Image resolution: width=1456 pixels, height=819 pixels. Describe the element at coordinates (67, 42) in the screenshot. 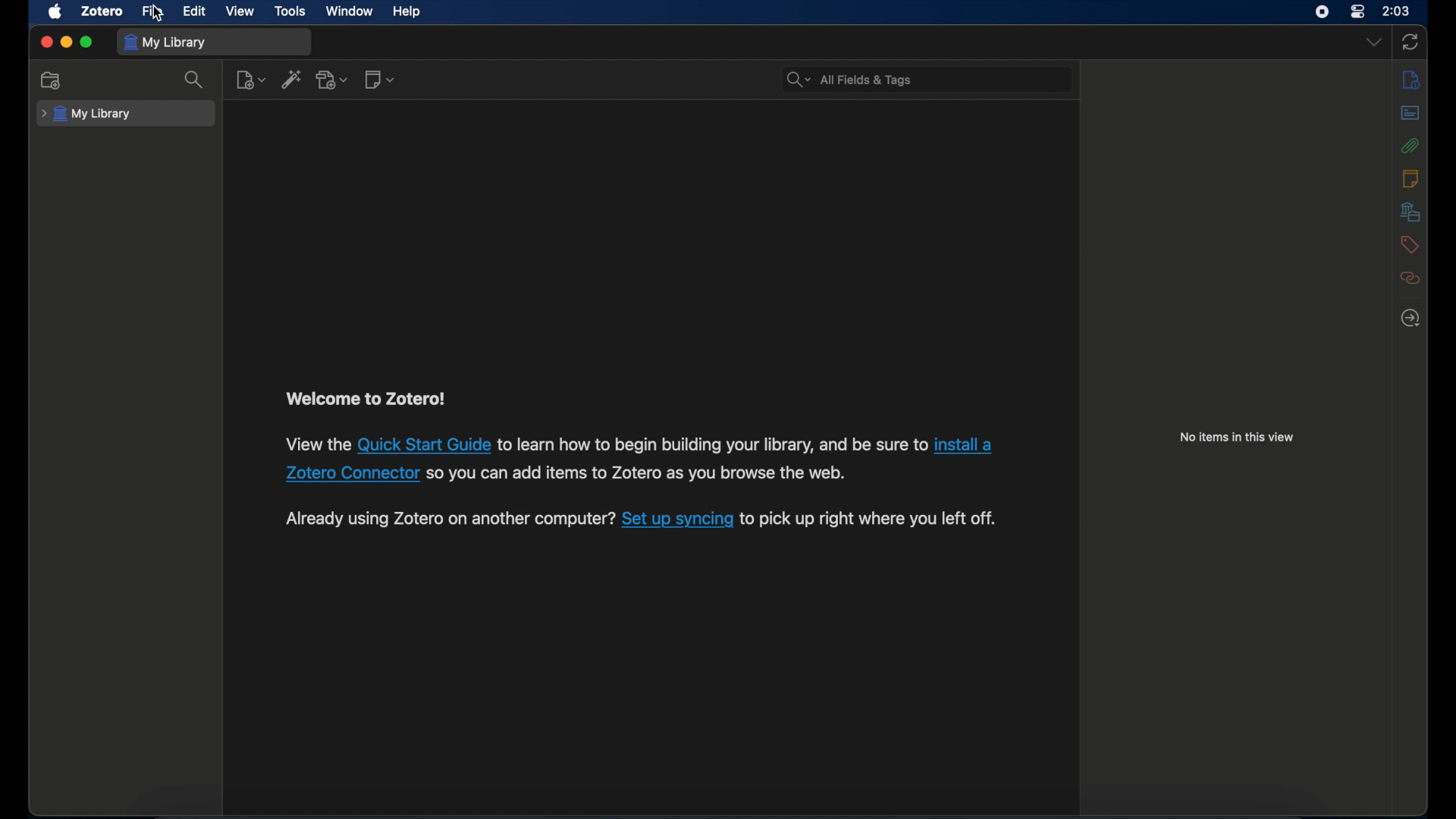

I see `minimize` at that location.